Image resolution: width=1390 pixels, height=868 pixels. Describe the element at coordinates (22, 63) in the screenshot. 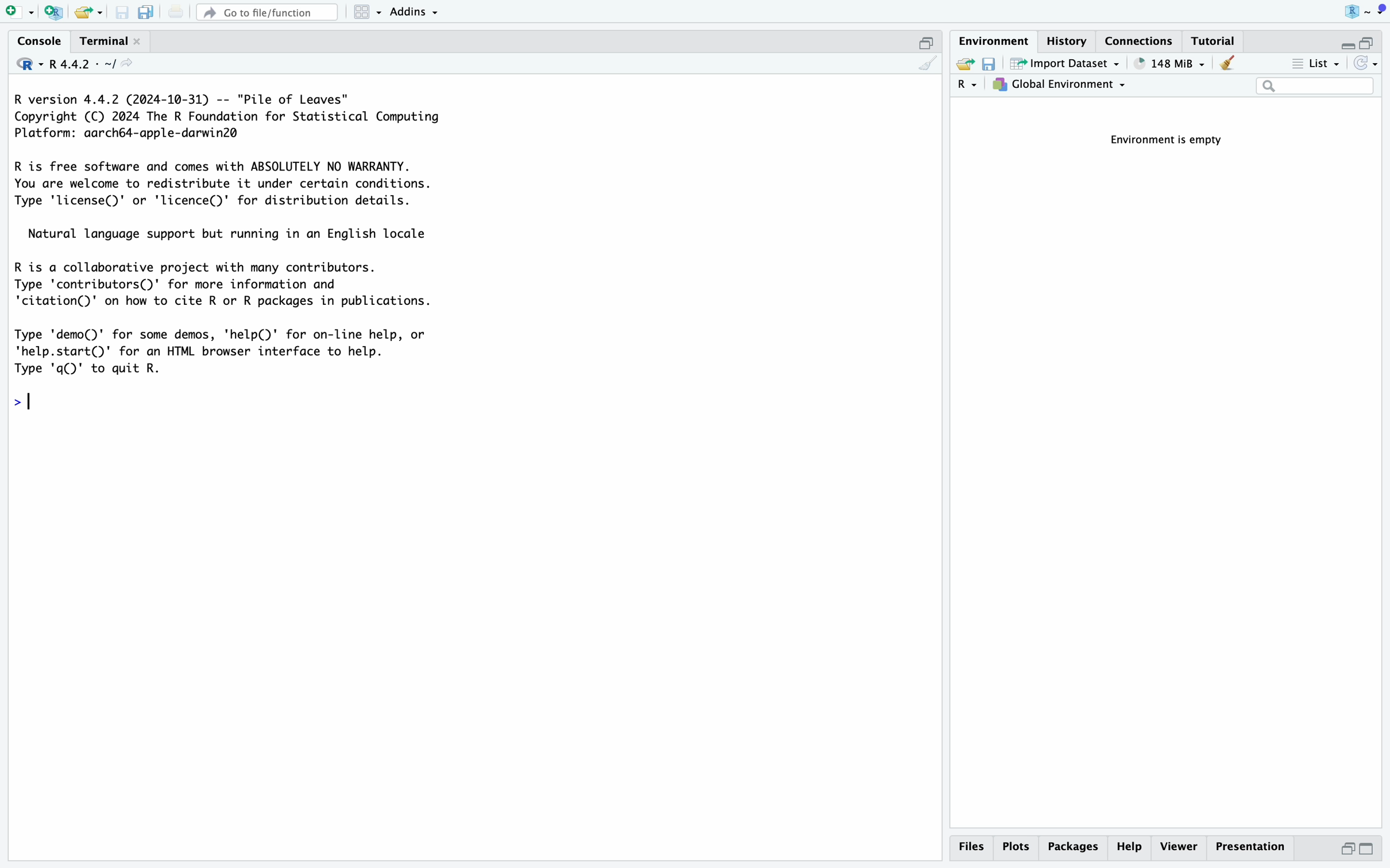

I see `language select` at that location.